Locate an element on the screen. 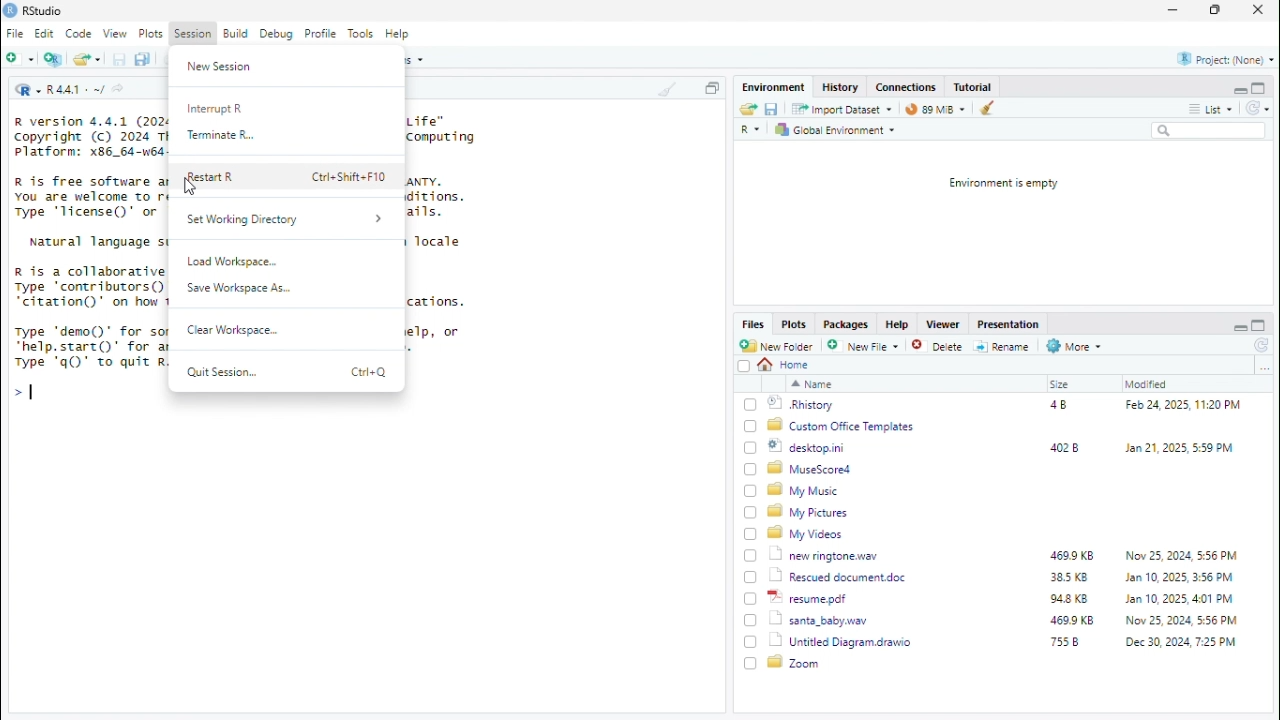 The width and height of the screenshot is (1280, 720). copy is located at coordinates (711, 88).